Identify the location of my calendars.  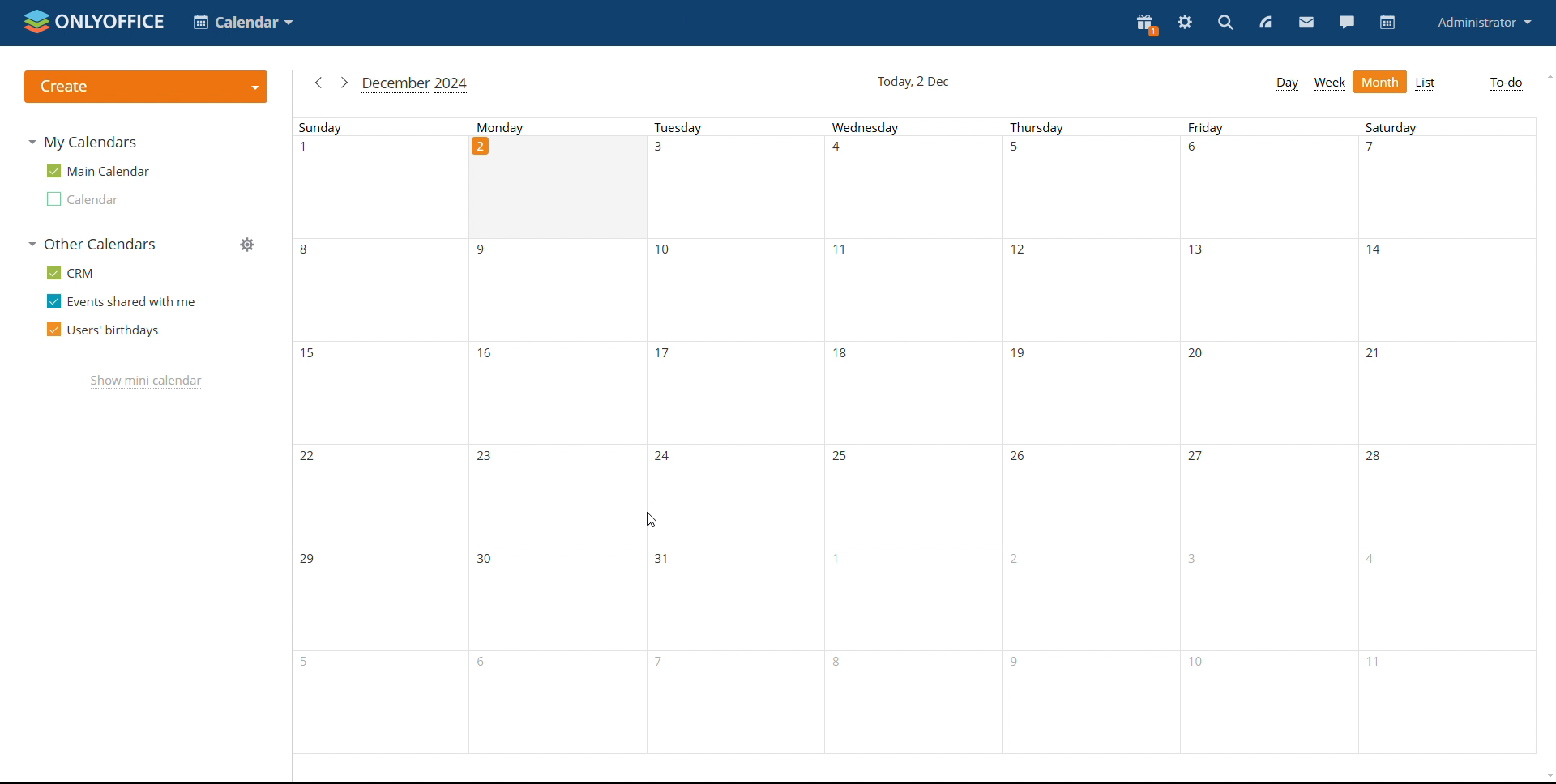
(88, 143).